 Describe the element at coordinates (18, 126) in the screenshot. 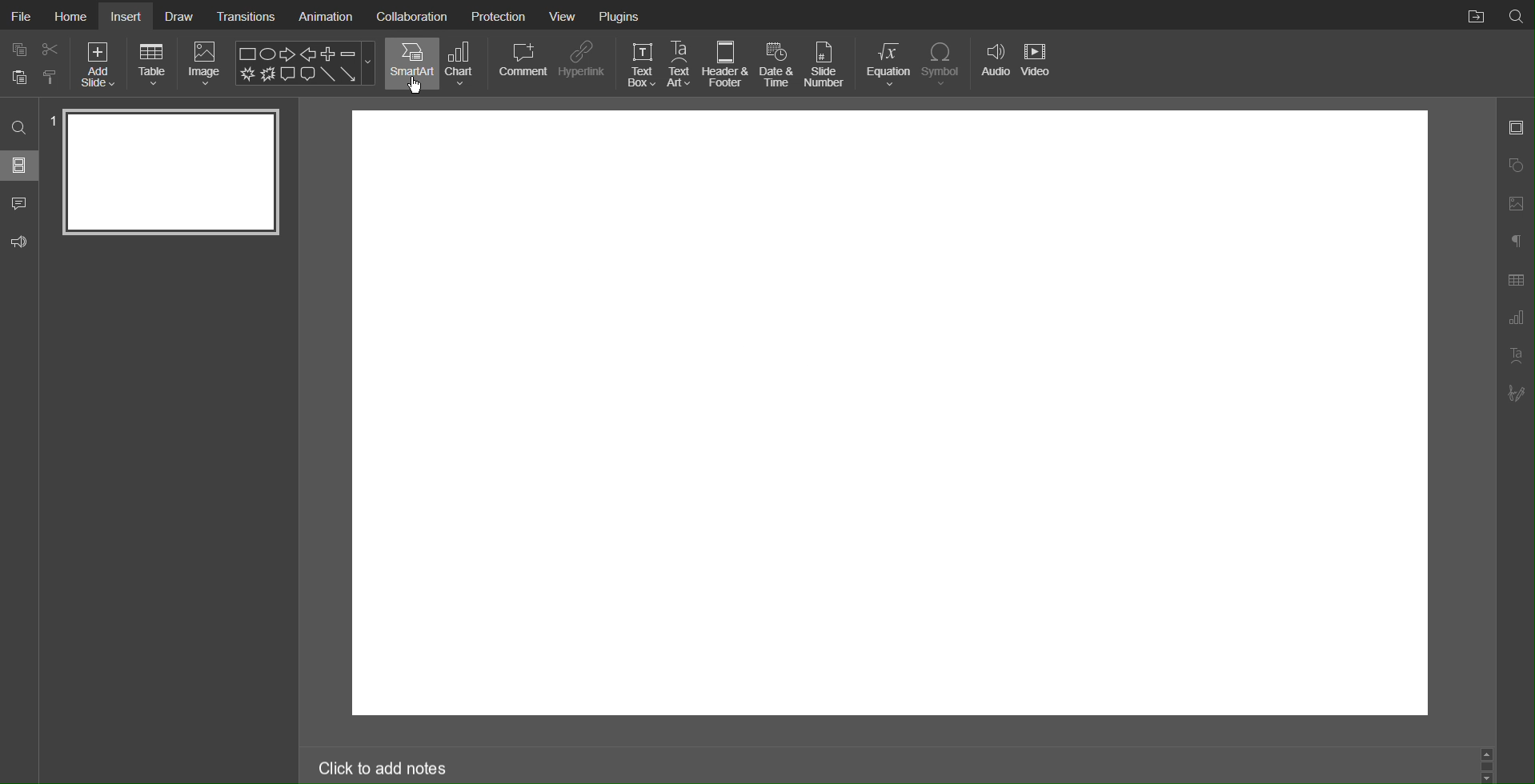

I see `Search` at that location.